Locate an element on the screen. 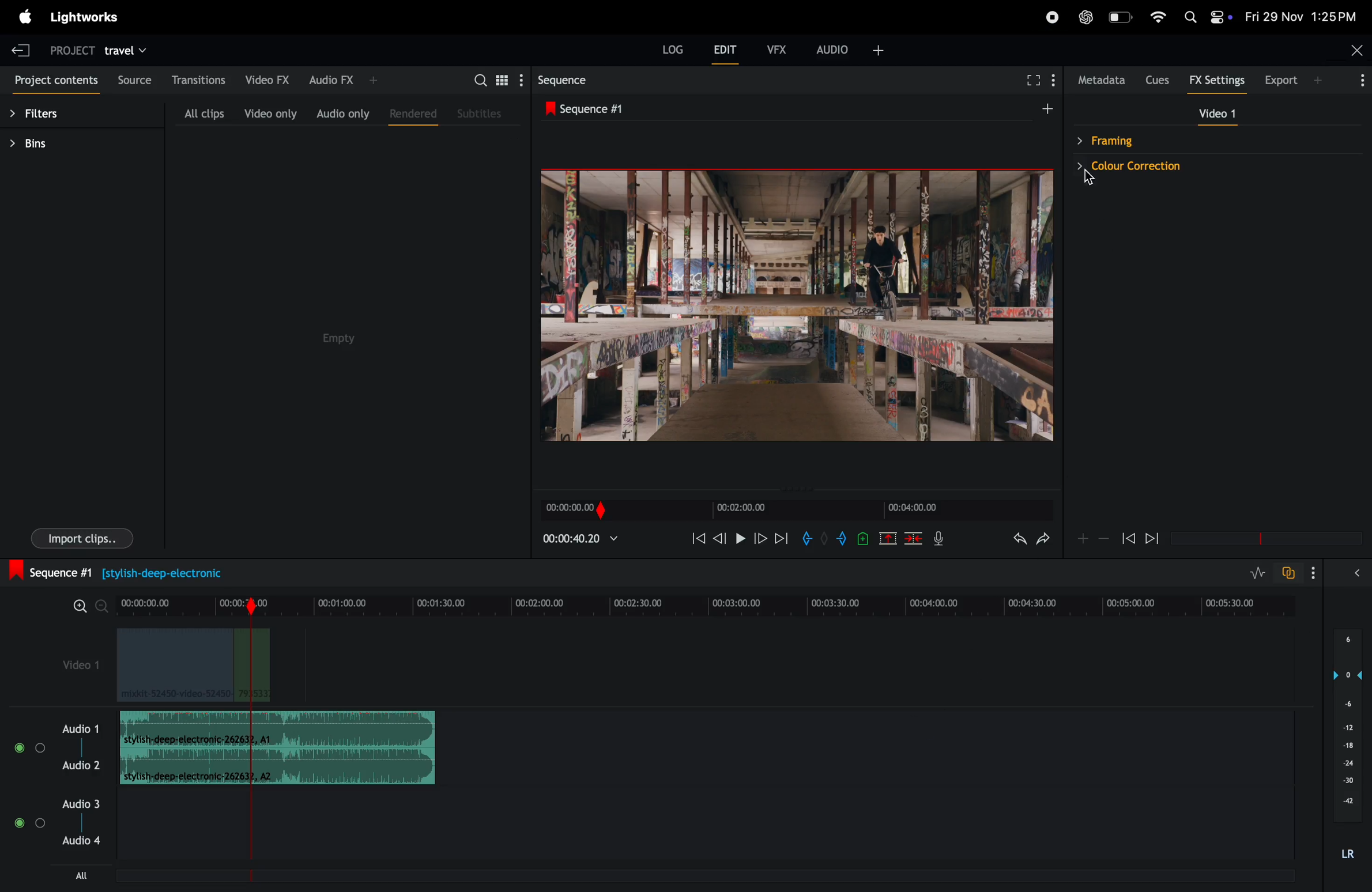 The height and width of the screenshot is (892, 1372). transitions is located at coordinates (199, 79).